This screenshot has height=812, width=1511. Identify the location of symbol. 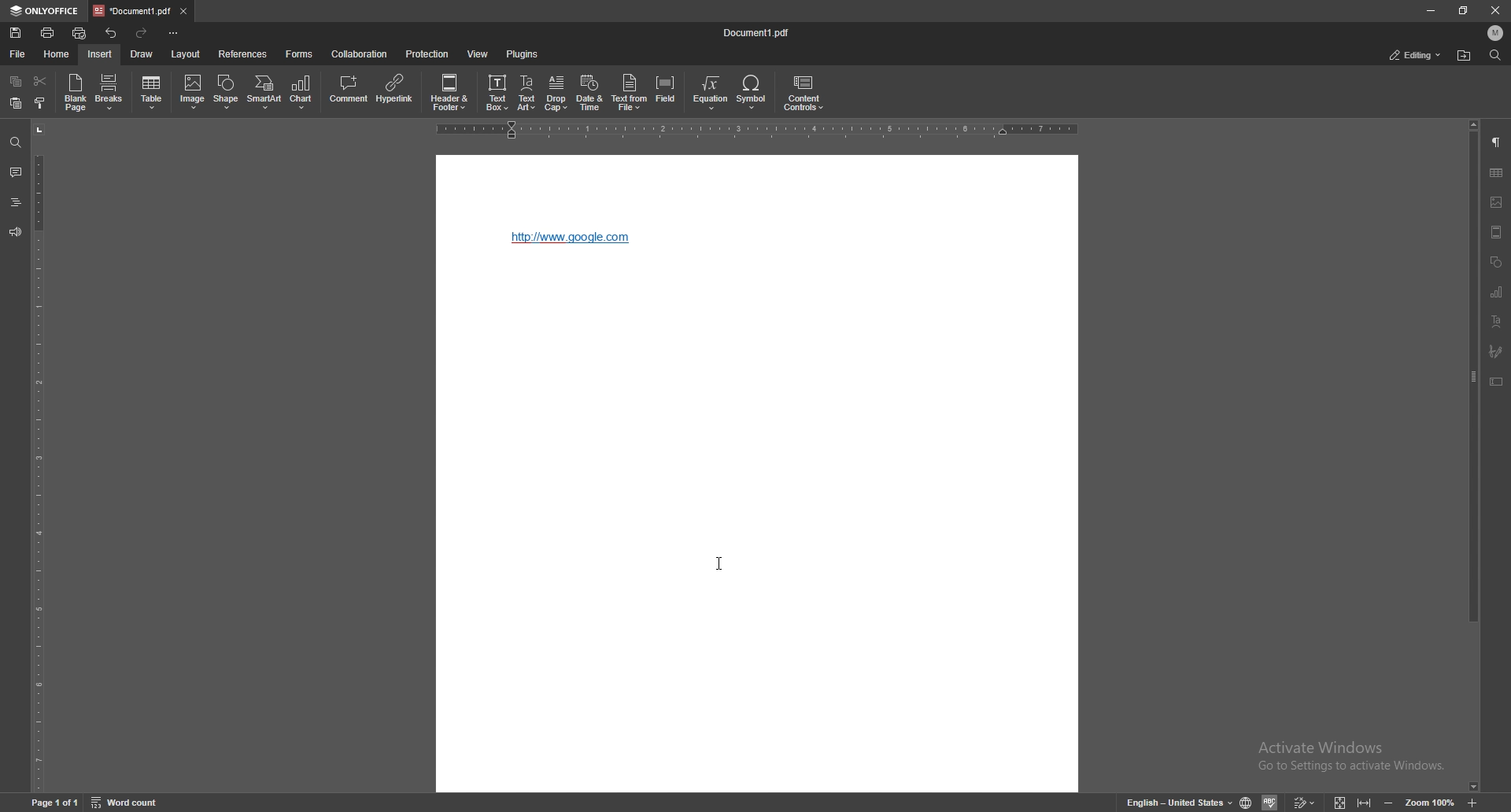
(754, 93).